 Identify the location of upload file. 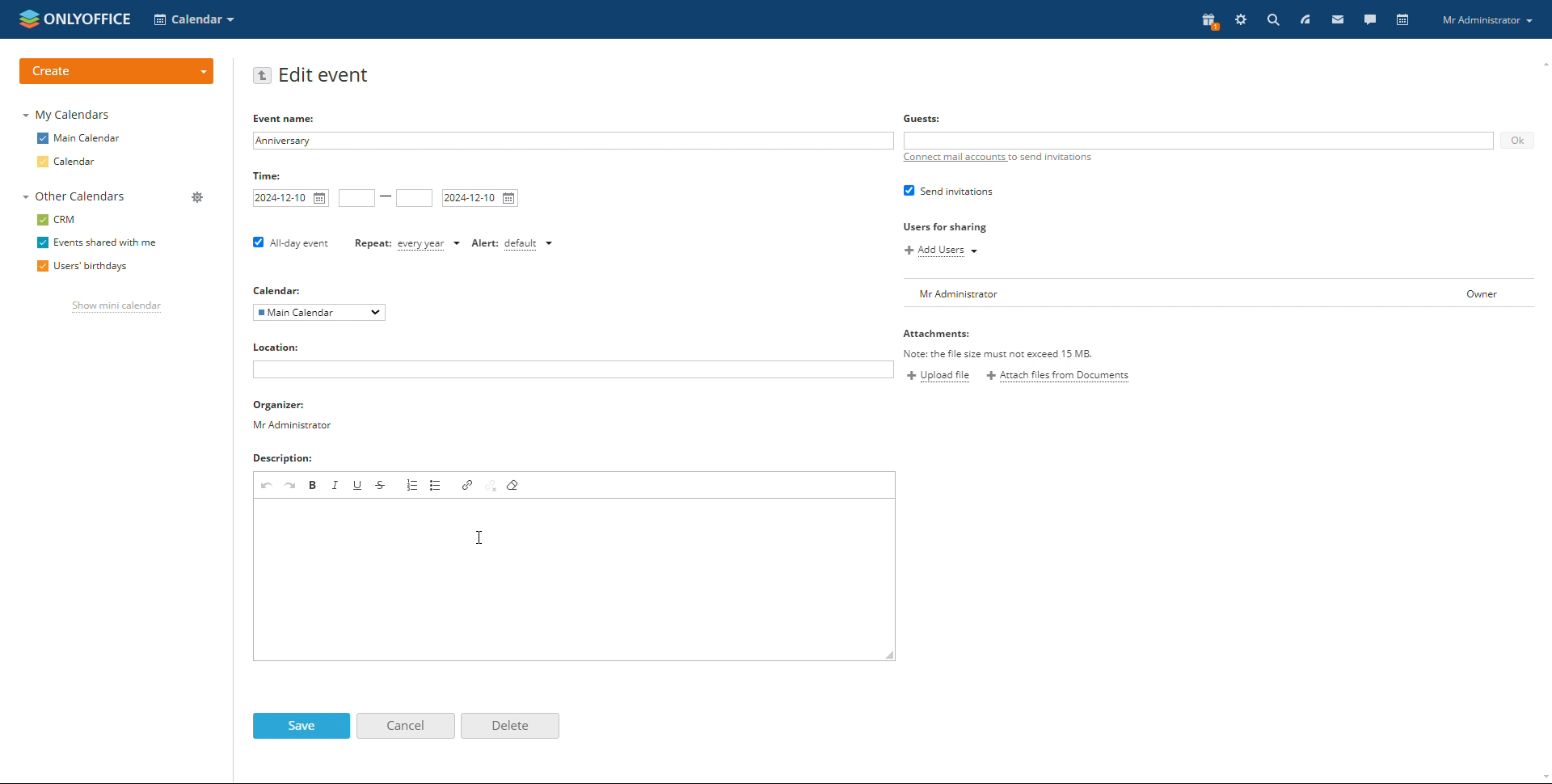
(941, 375).